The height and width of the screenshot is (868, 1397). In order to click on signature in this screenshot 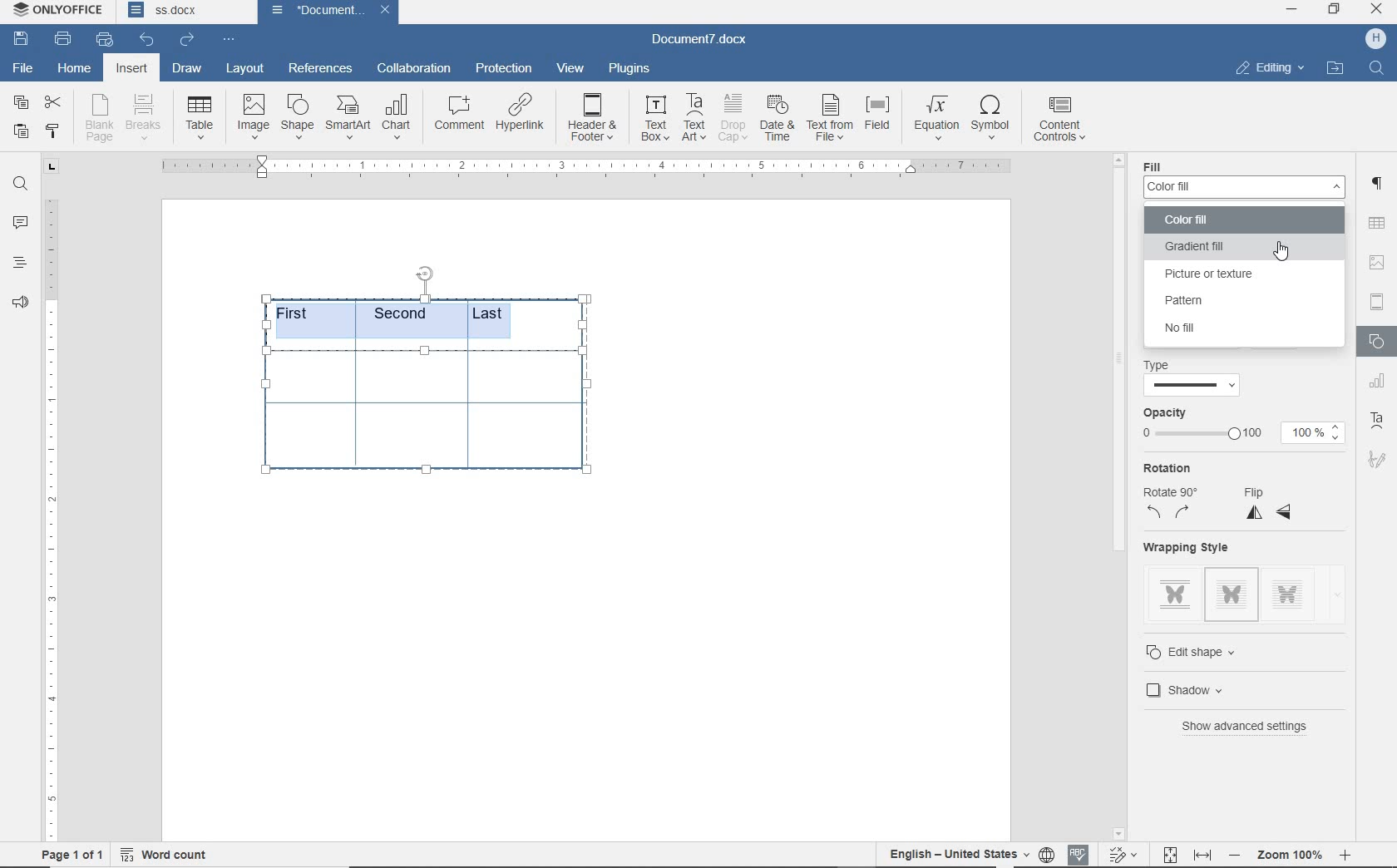, I will do `click(1379, 462)`.